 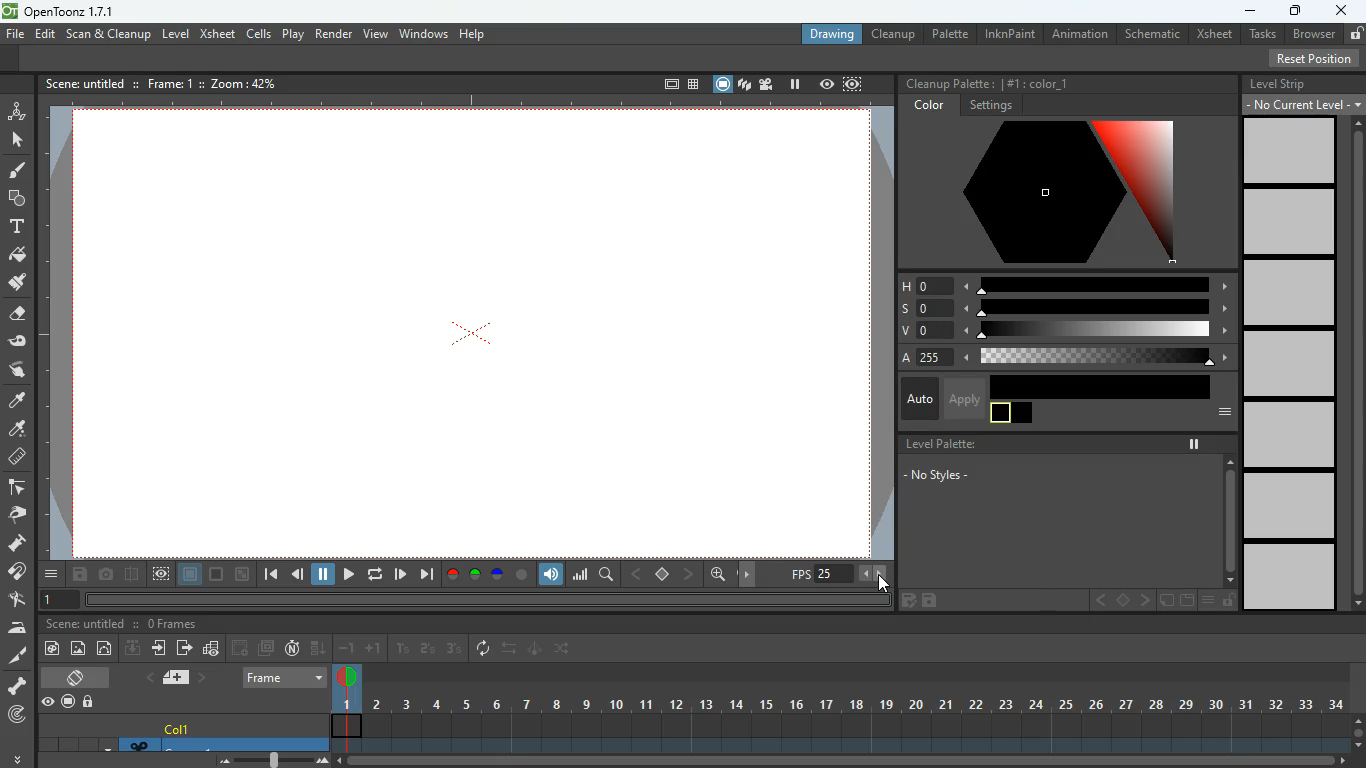 I want to click on maximize, so click(x=1299, y=12).